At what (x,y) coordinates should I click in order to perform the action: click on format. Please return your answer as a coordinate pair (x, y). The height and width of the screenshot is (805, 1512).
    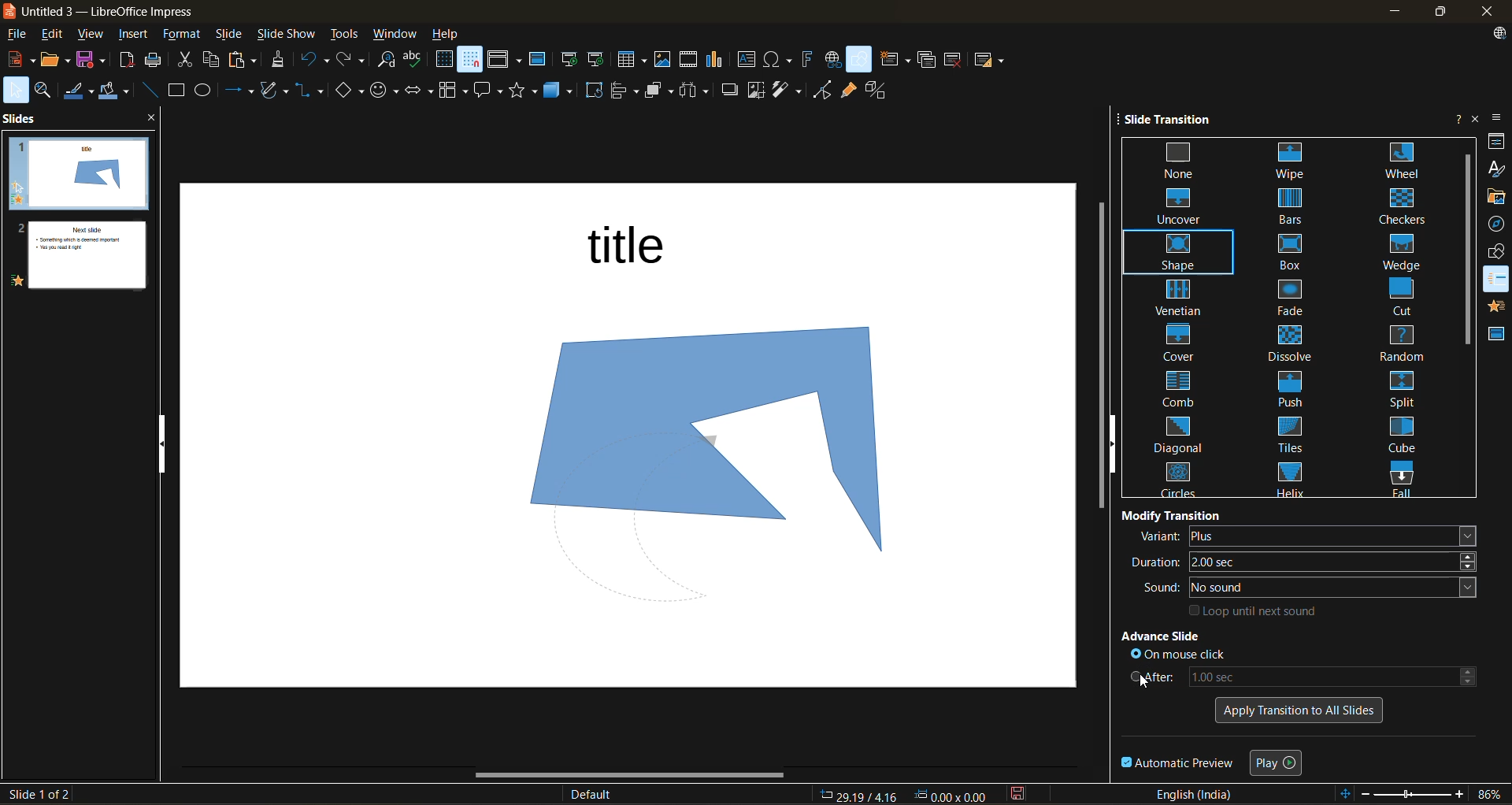
    Looking at the image, I should click on (184, 35).